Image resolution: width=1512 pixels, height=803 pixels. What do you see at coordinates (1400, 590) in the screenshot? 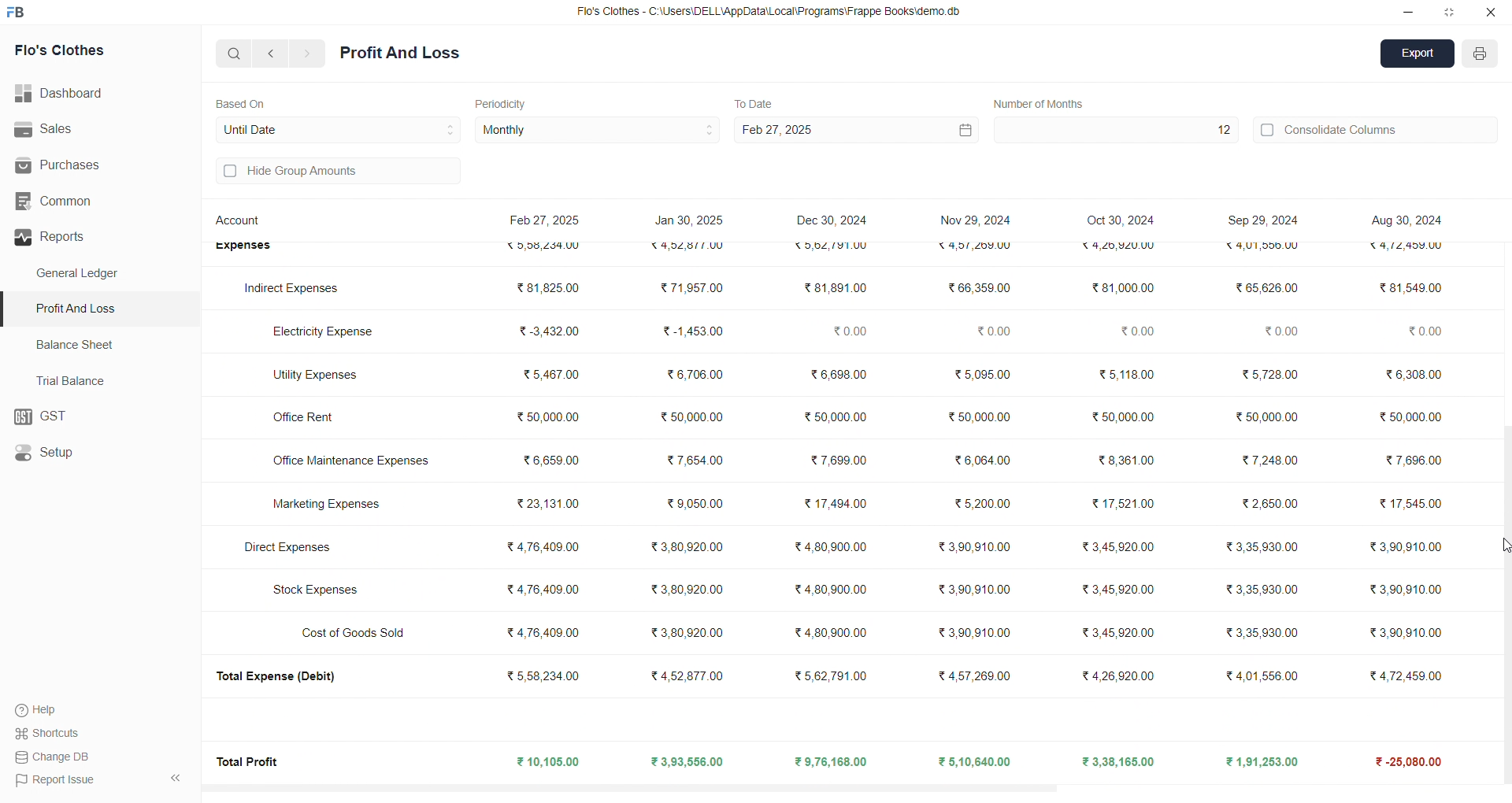
I see `₹3,90,910.00` at bounding box center [1400, 590].